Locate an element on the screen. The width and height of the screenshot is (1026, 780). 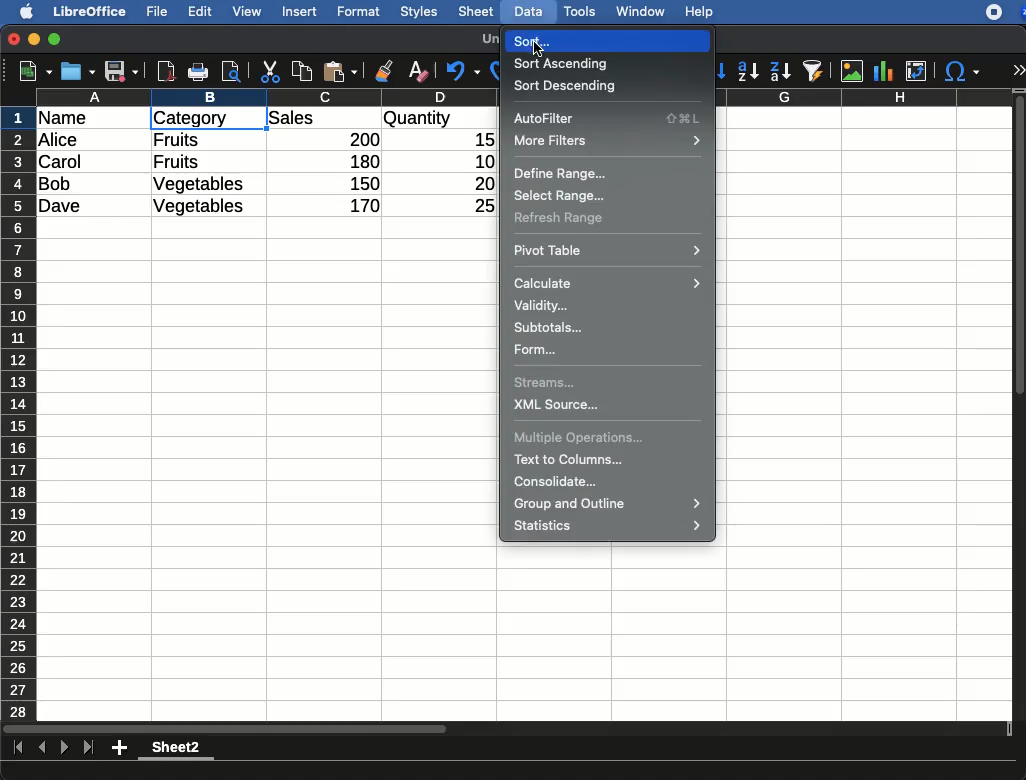
first sheet is located at coordinates (20, 748).